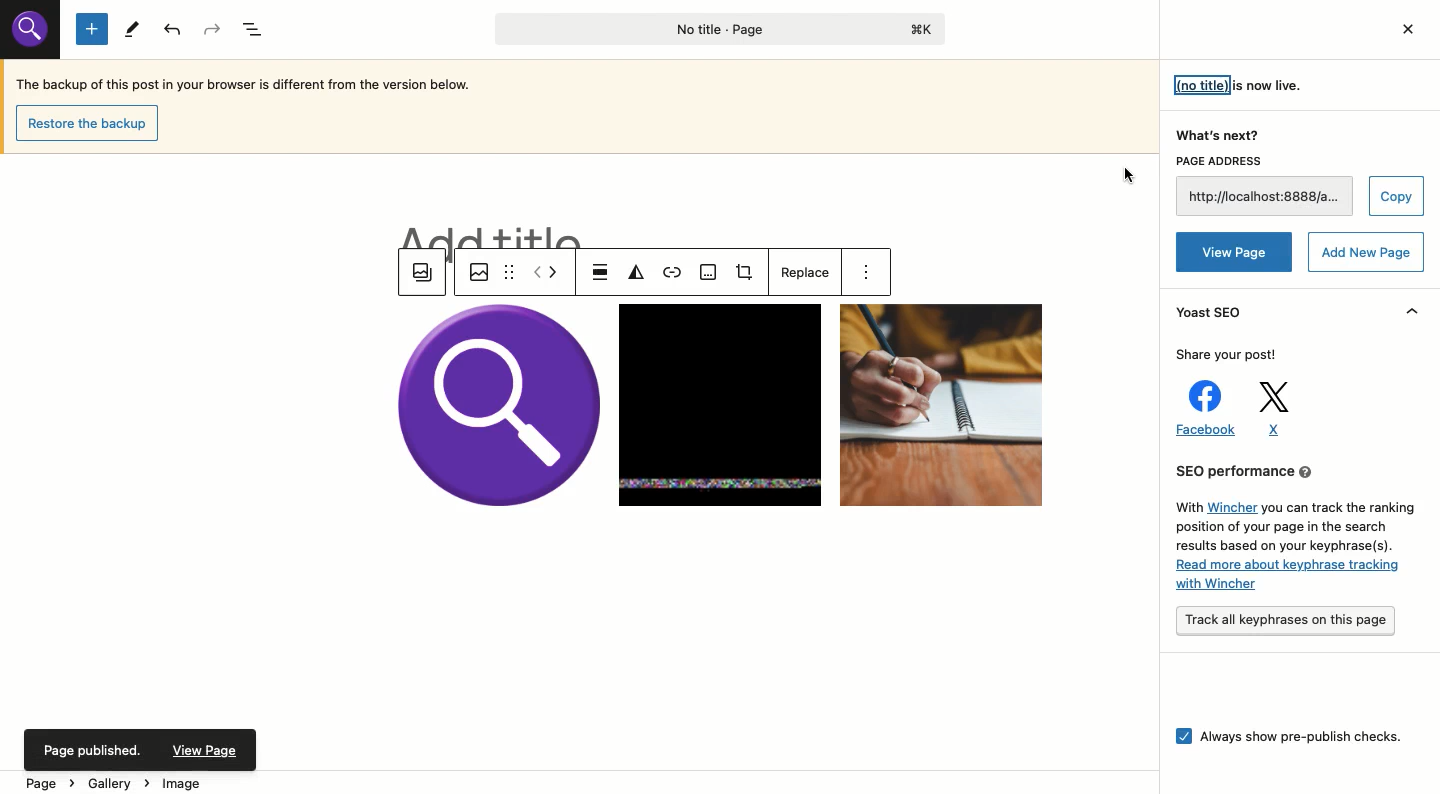 The width and height of the screenshot is (1440, 794). What do you see at coordinates (1294, 530) in the screenshot?
I see `SEO performance` at bounding box center [1294, 530].